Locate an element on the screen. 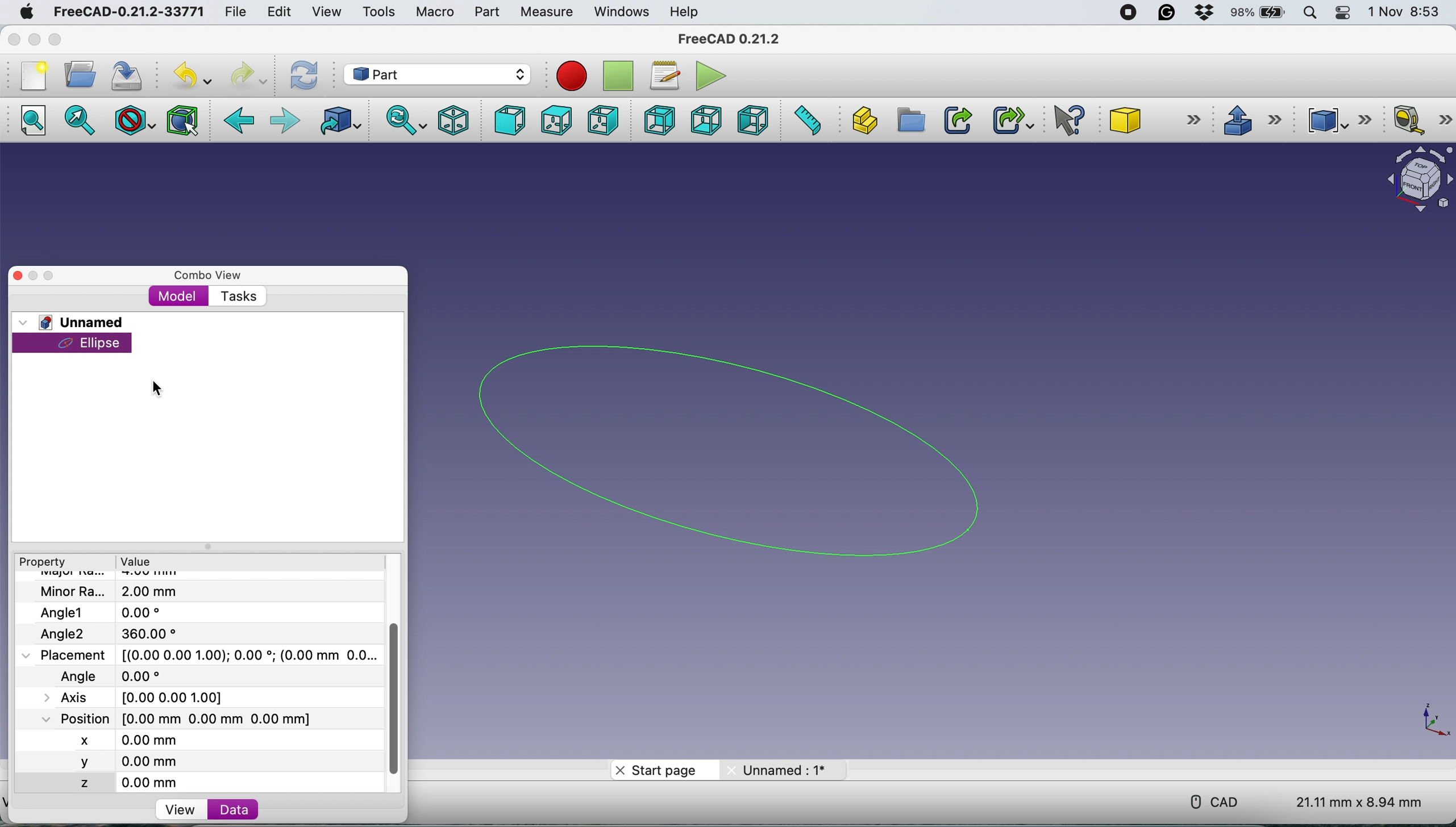  system logo is located at coordinates (28, 12).